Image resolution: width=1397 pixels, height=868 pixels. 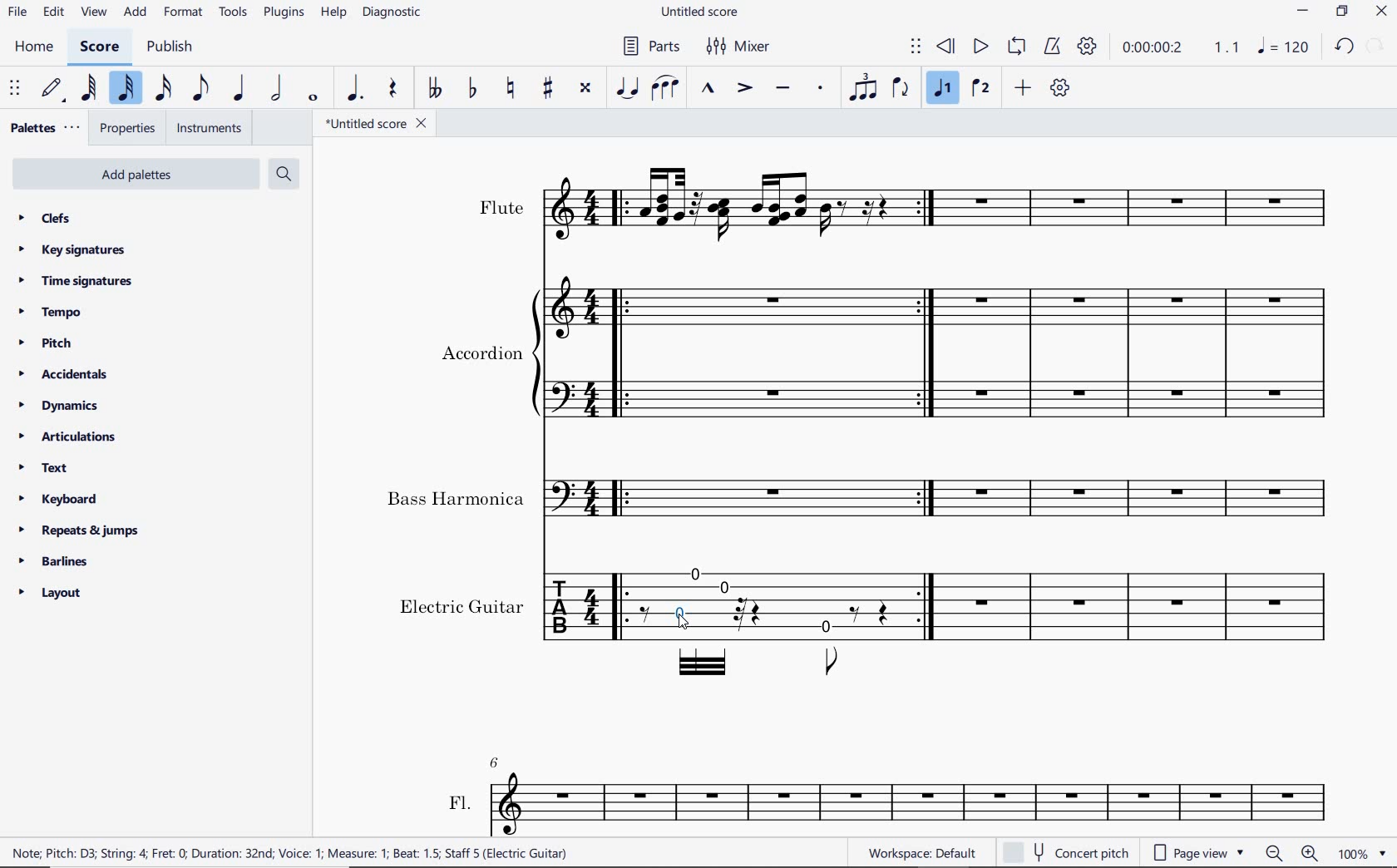 What do you see at coordinates (686, 620) in the screenshot?
I see `cursor selected note` at bounding box center [686, 620].